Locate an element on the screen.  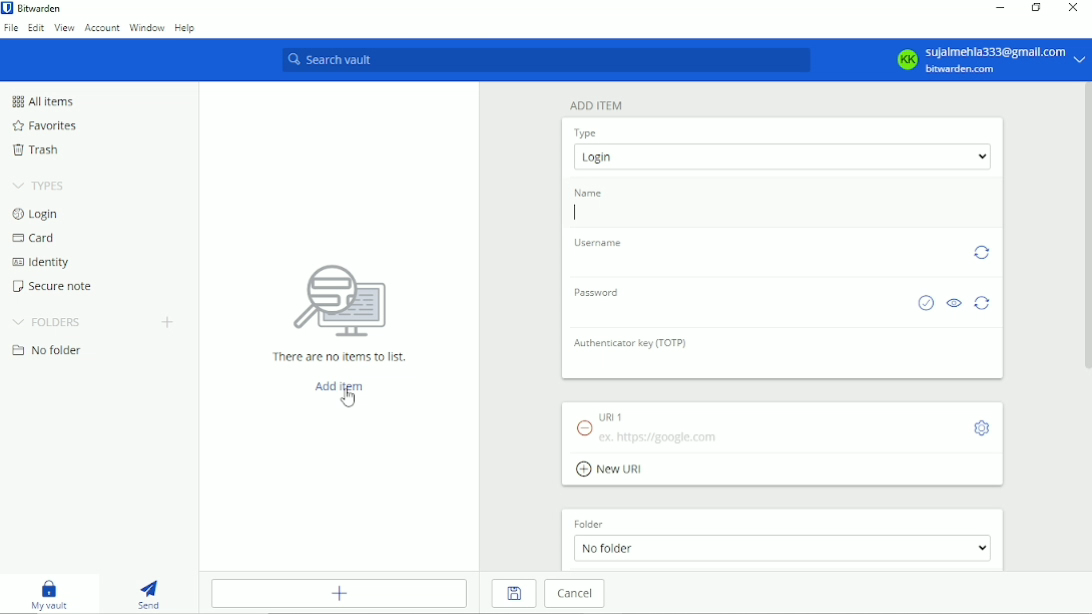
Favorites is located at coordinates (43, 126).